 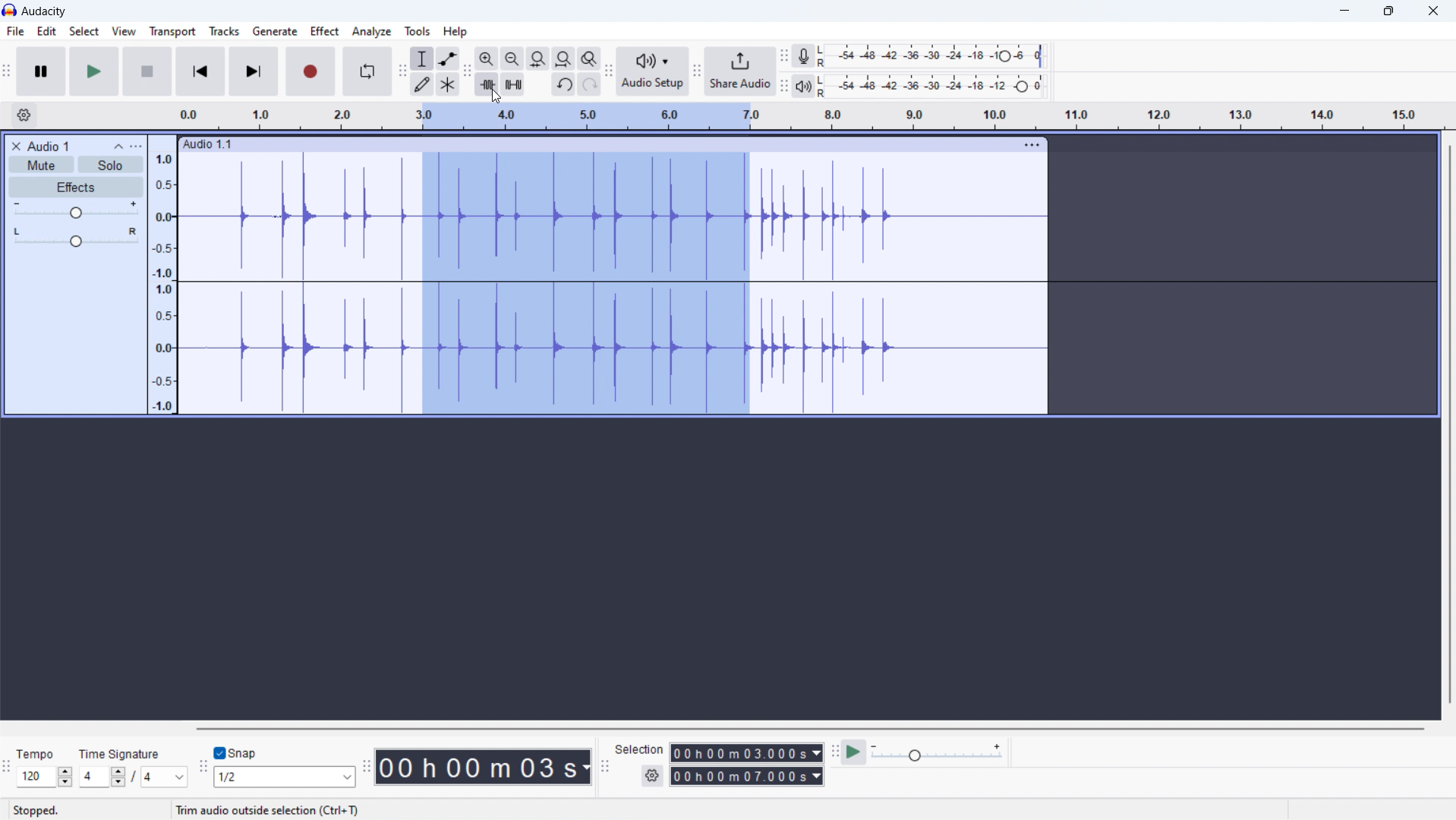 What do you see at coordinates (590, 58) in the screenshot?
I see `toggle zoom` at bounding box center [590, 58].